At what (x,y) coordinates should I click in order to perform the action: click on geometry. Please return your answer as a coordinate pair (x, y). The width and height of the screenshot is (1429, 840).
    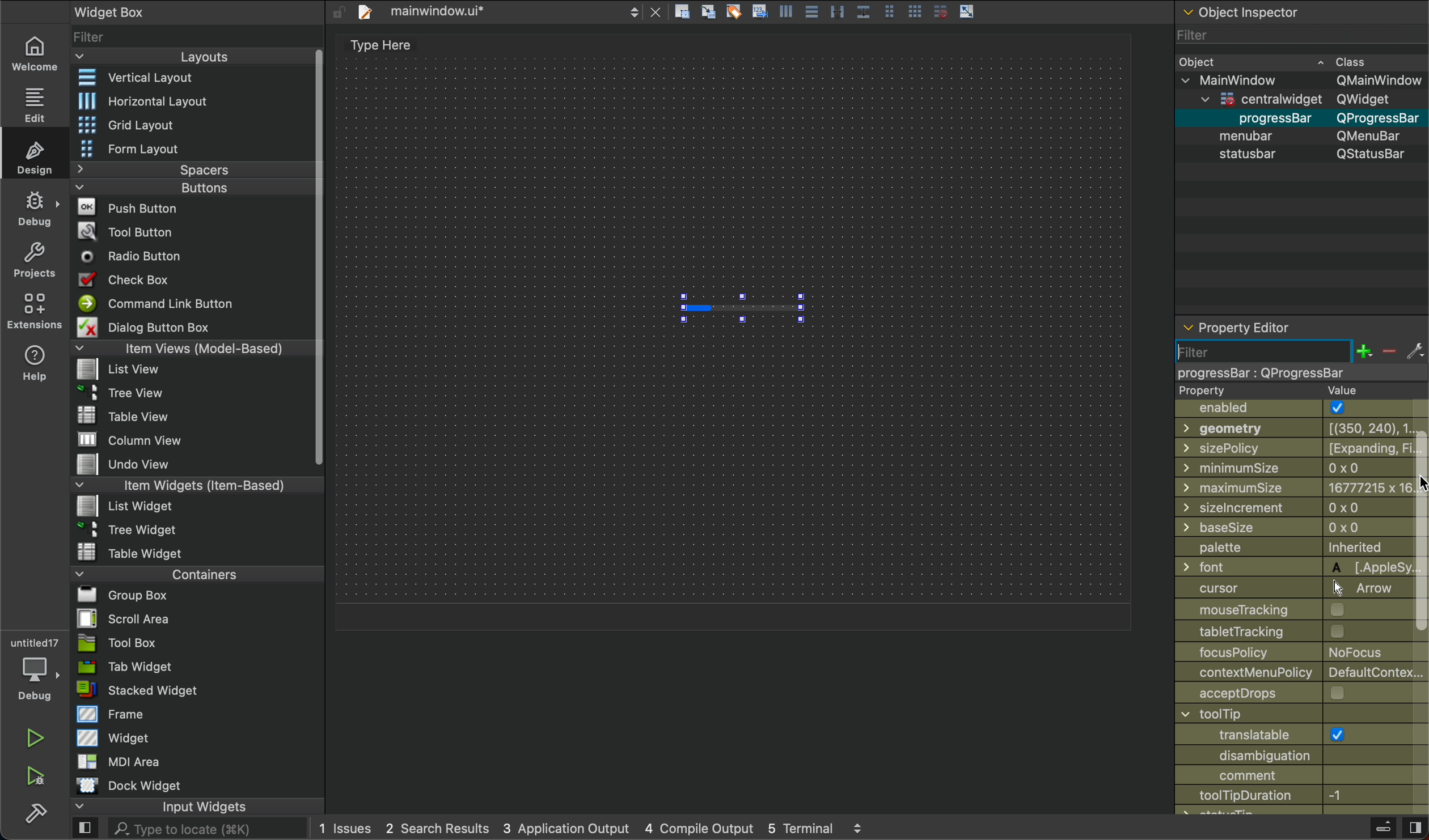
    Looking at the image, I should click on (1286, 428).